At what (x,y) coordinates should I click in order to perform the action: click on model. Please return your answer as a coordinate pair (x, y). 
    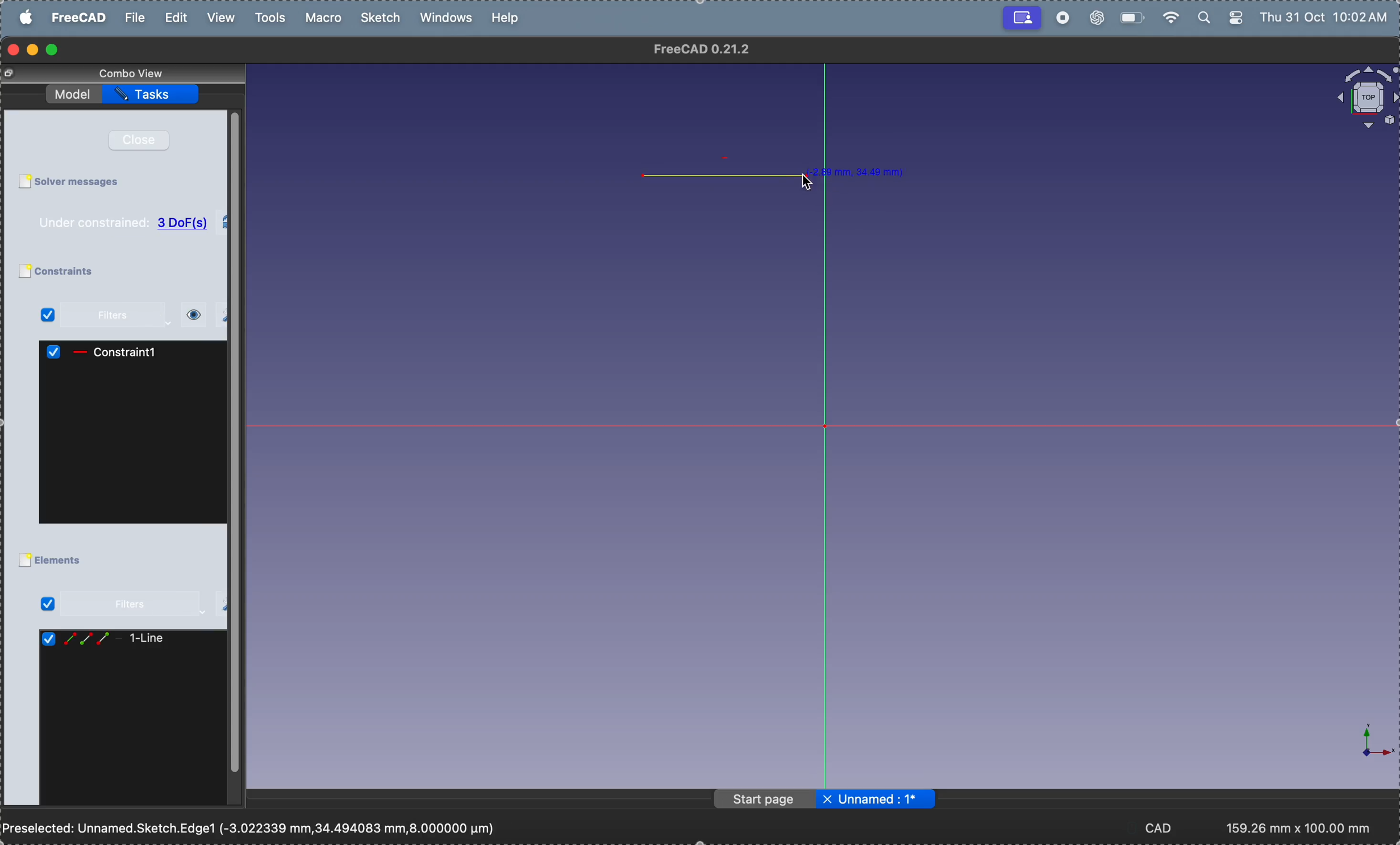
    Looking at the image, I should click on (74, 92).